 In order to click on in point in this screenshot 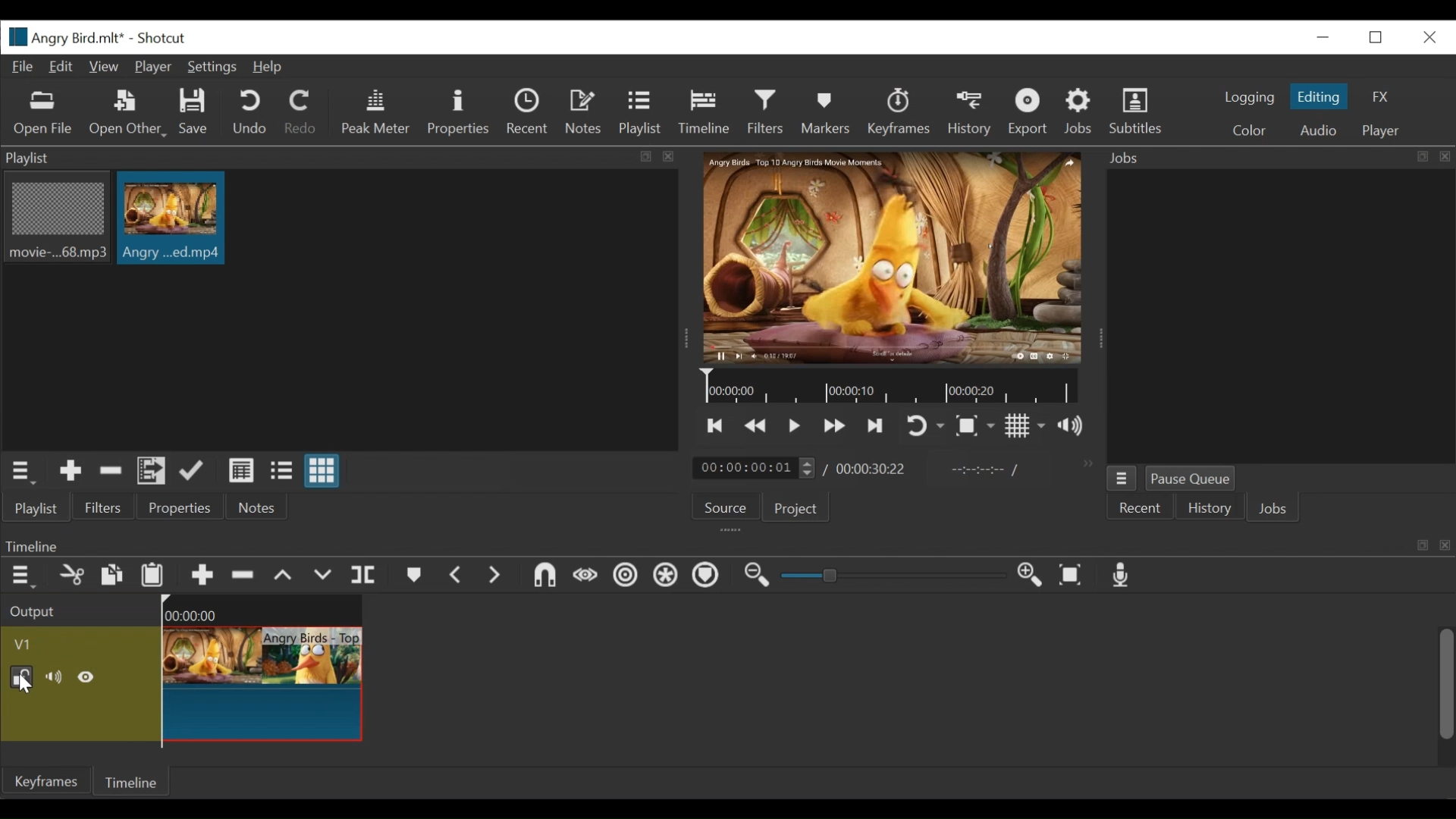, I will do `click(995, 469)`.